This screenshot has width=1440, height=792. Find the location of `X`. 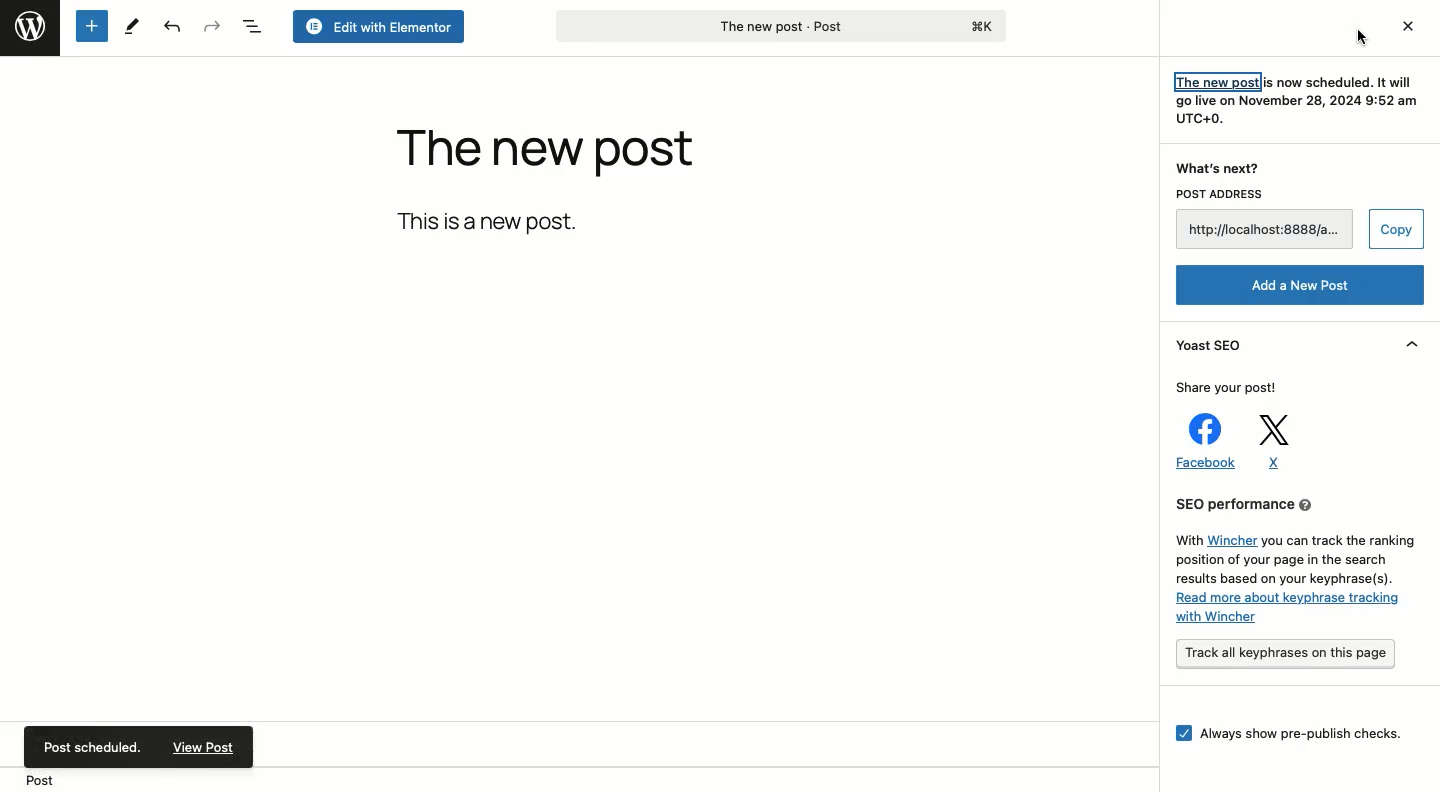

X is located at coordinates (1271, 442).